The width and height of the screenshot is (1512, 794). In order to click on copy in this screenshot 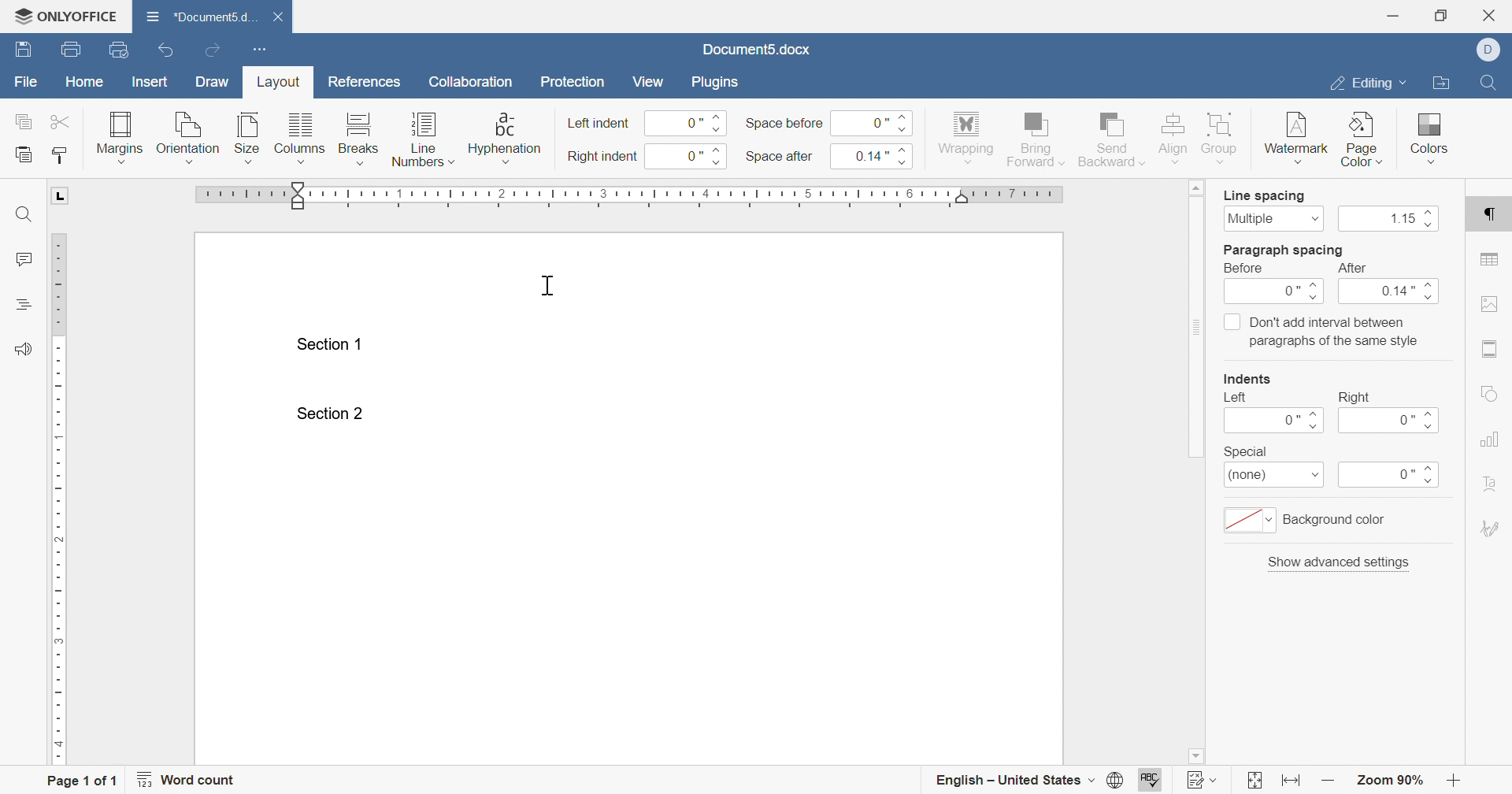, I will do `click(21, 121)`.